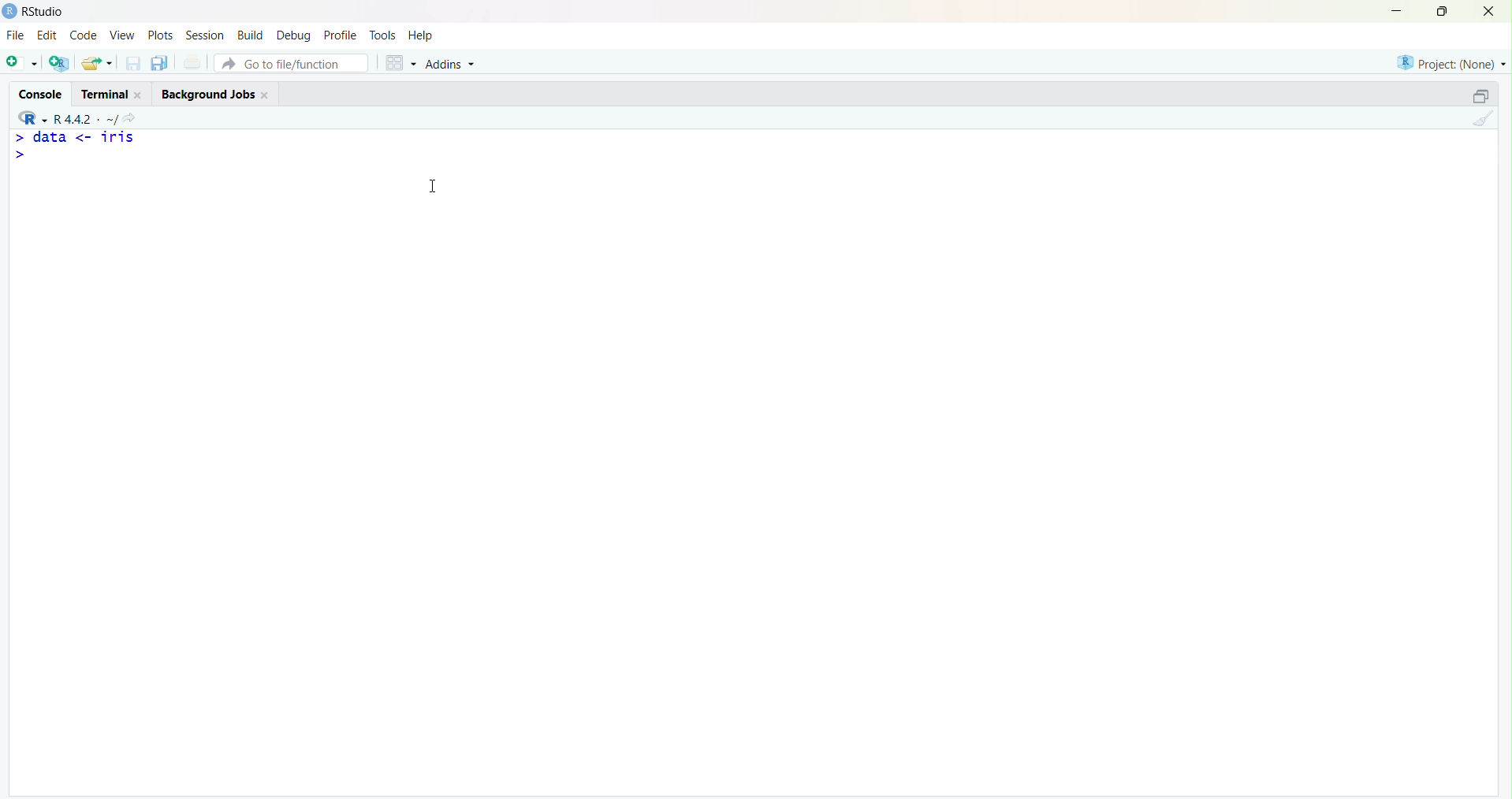 This screenshot has width=1512, height=799. I want to click on Cursor, so click(440, 186).